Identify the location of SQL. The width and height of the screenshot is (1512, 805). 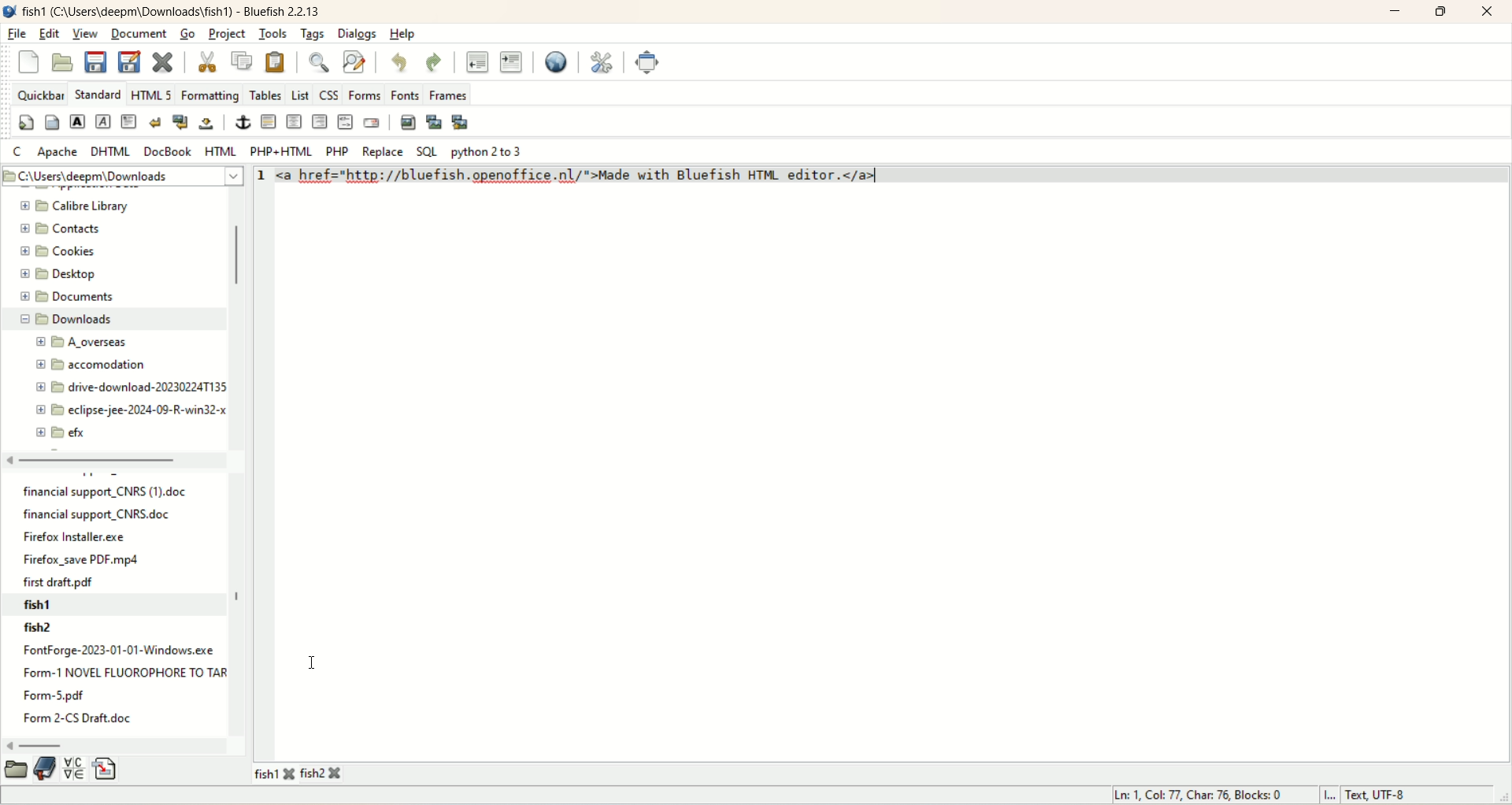
(426, 152).